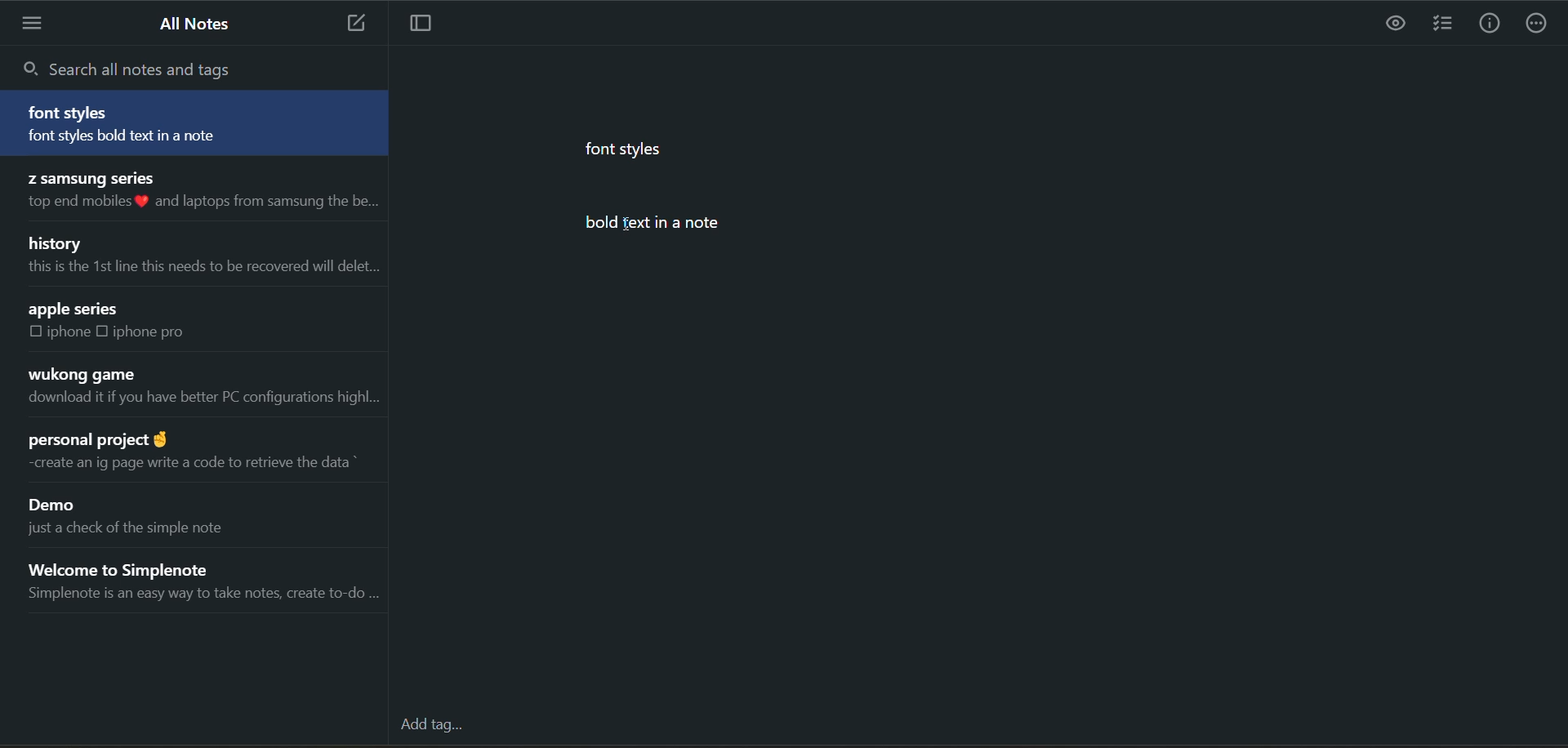 Image resolution: width=1568 pixels, height=748 pixels. Describe the element at coordinates (72, 113) in the screenshot. I see `font styles` at that location.